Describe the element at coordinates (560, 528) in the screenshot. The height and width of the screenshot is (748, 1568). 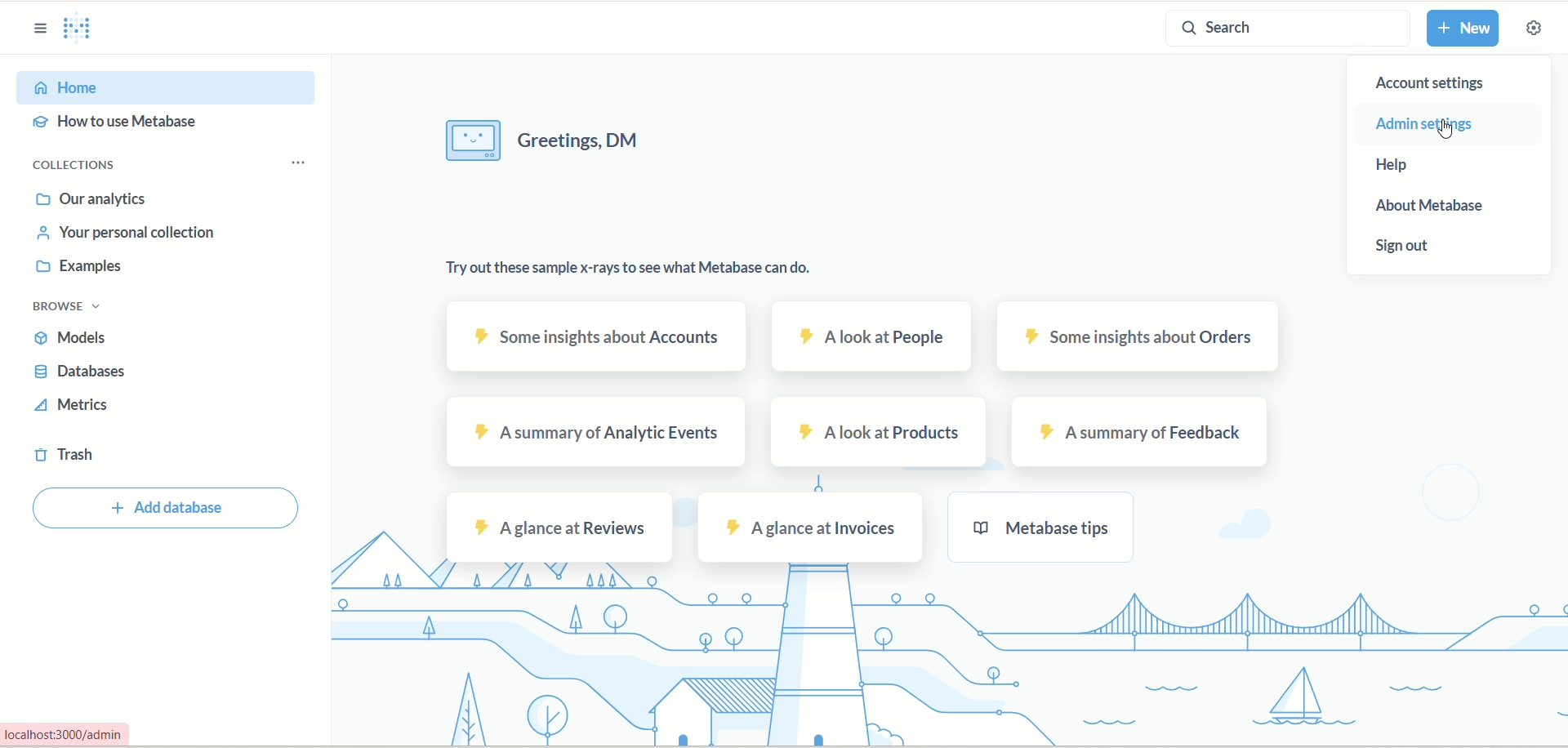
I see `A glance at reviews` at that location.